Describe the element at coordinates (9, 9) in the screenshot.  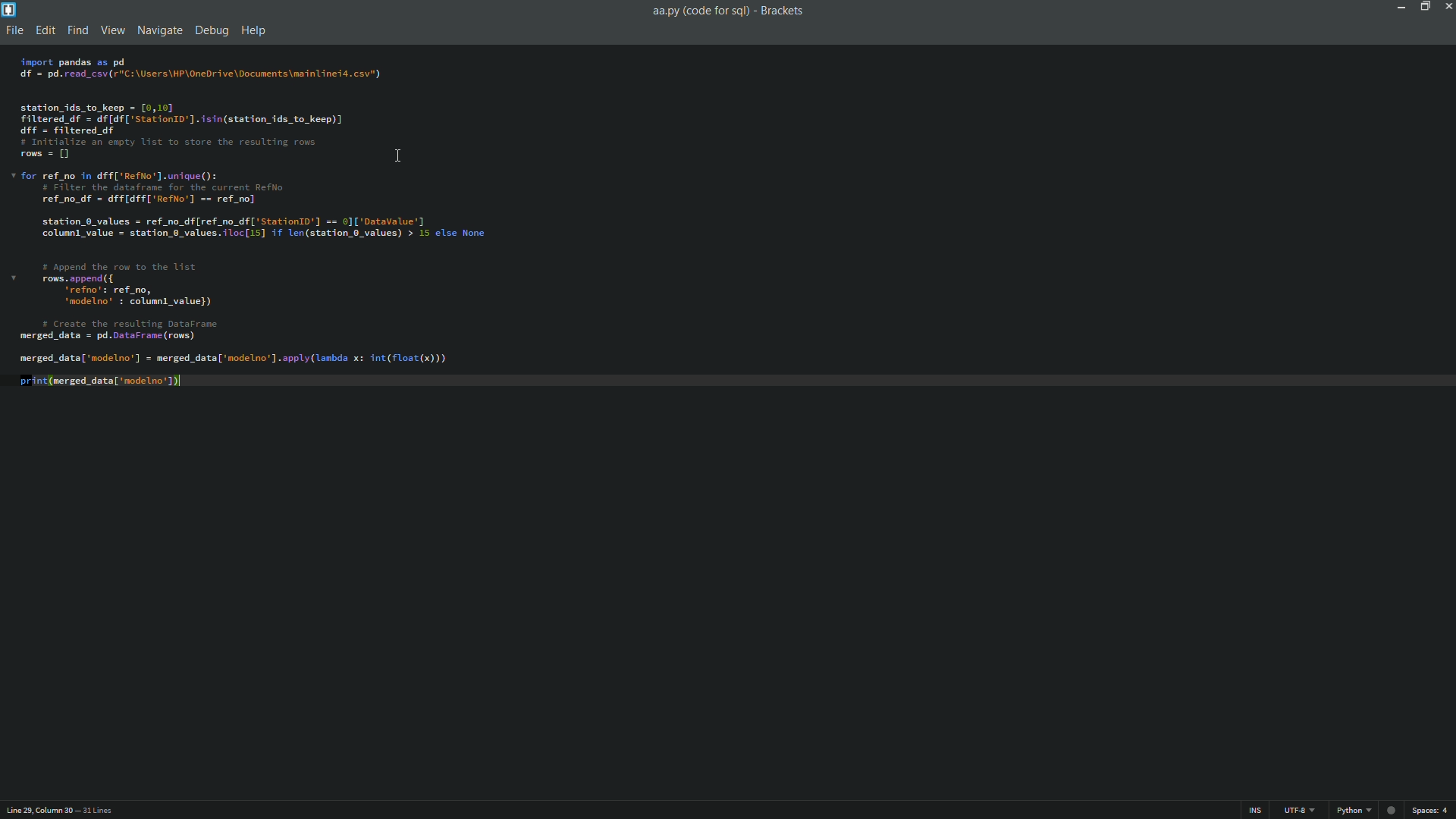
I see `app icon` at that location.